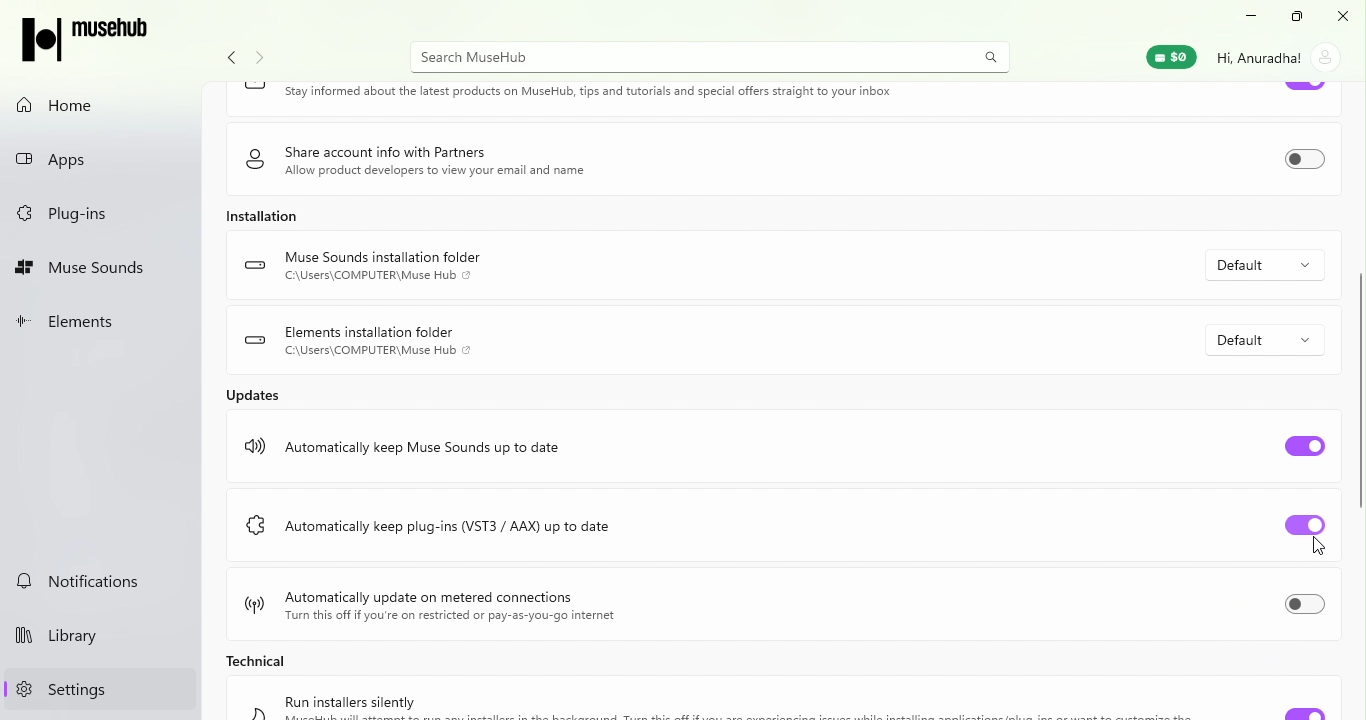  Describe the element at coordinates (254, 88) in the screenshot. I see `logo` at that location.